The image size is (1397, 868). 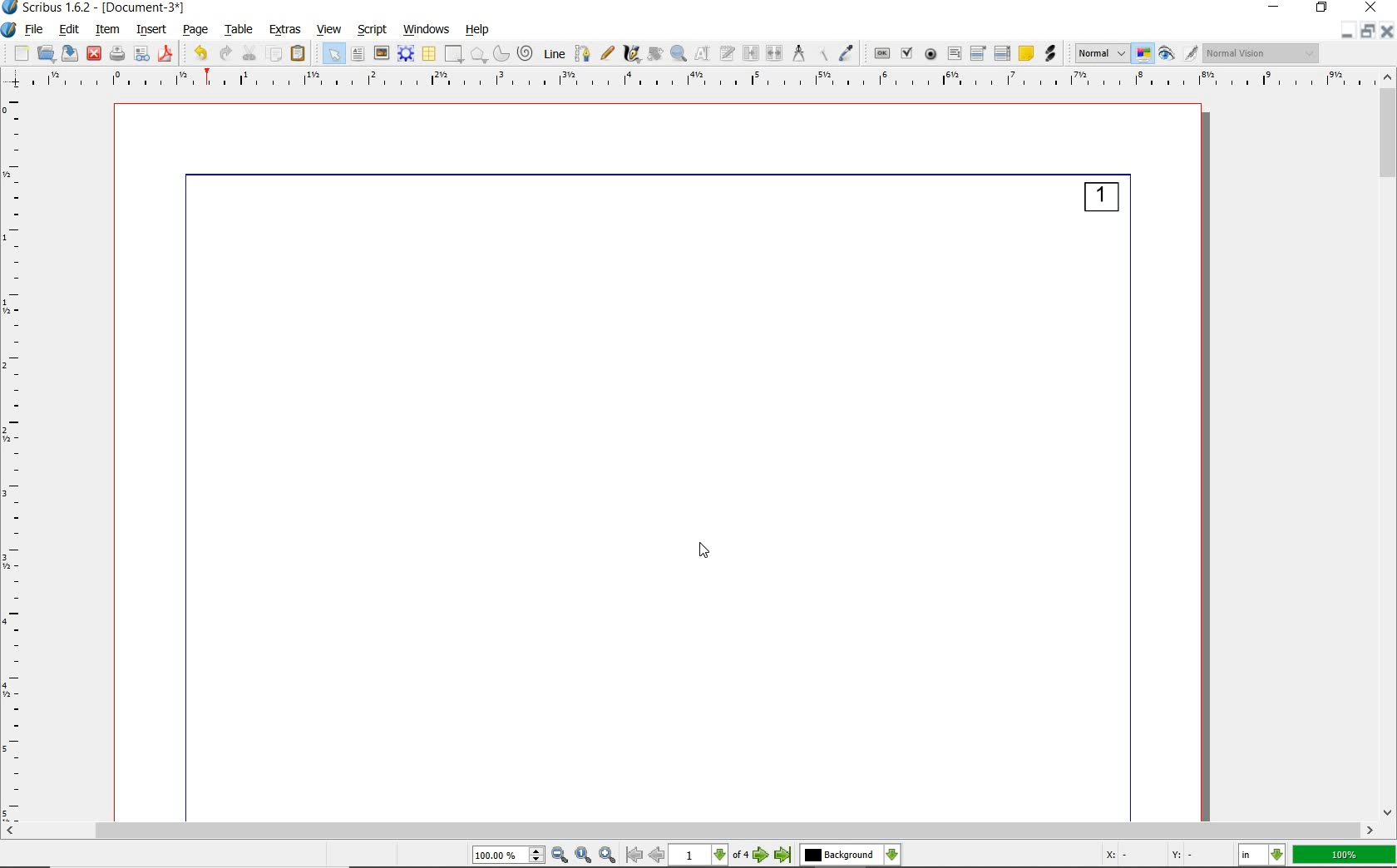 What do you see at coordinates (559, 855) in the screenshot?
I see `Zoom Out` at bounding box center [559, 855].